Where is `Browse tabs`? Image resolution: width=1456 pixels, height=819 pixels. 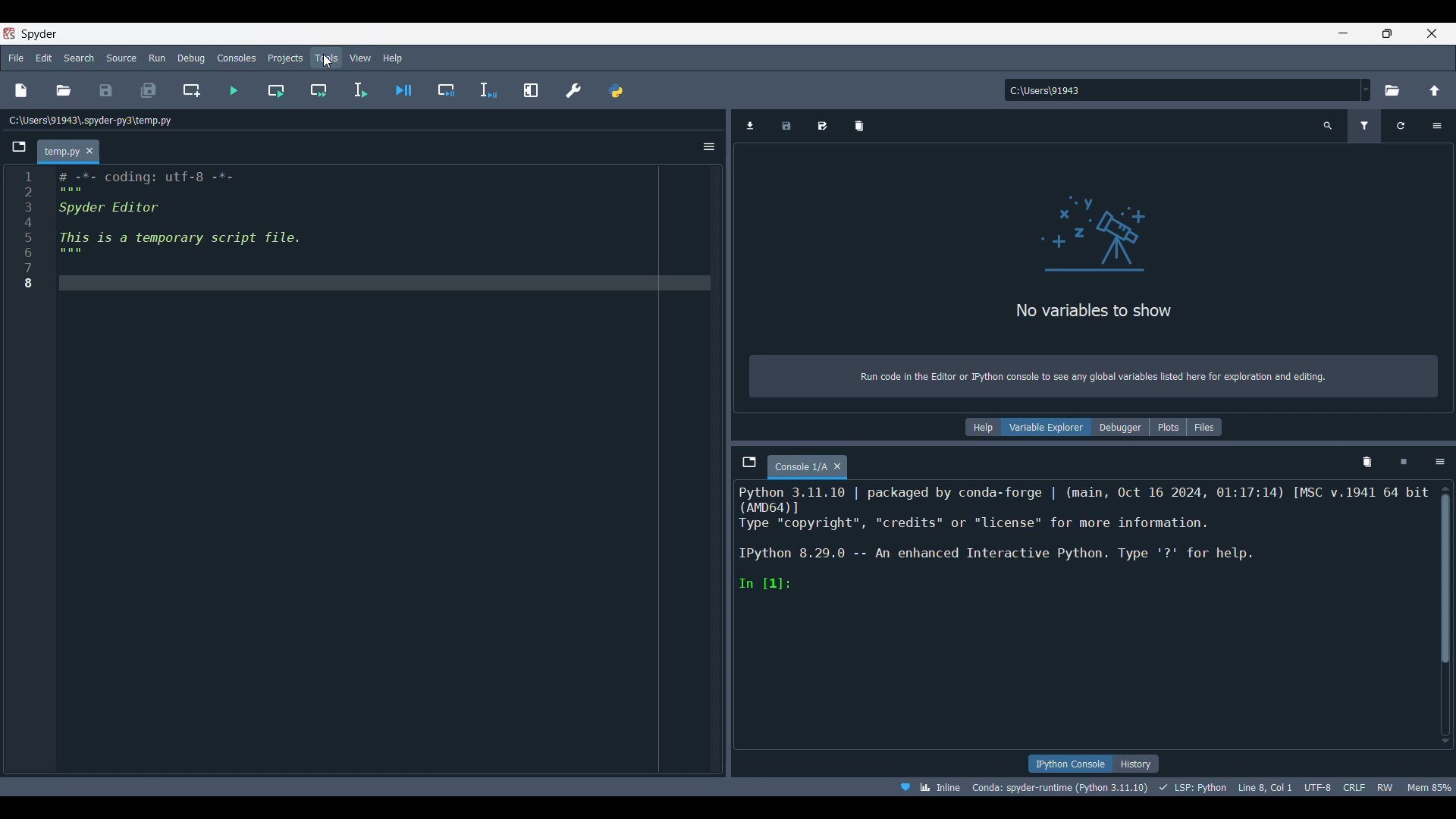 Browse tabs is located at coordinates (18, 147).